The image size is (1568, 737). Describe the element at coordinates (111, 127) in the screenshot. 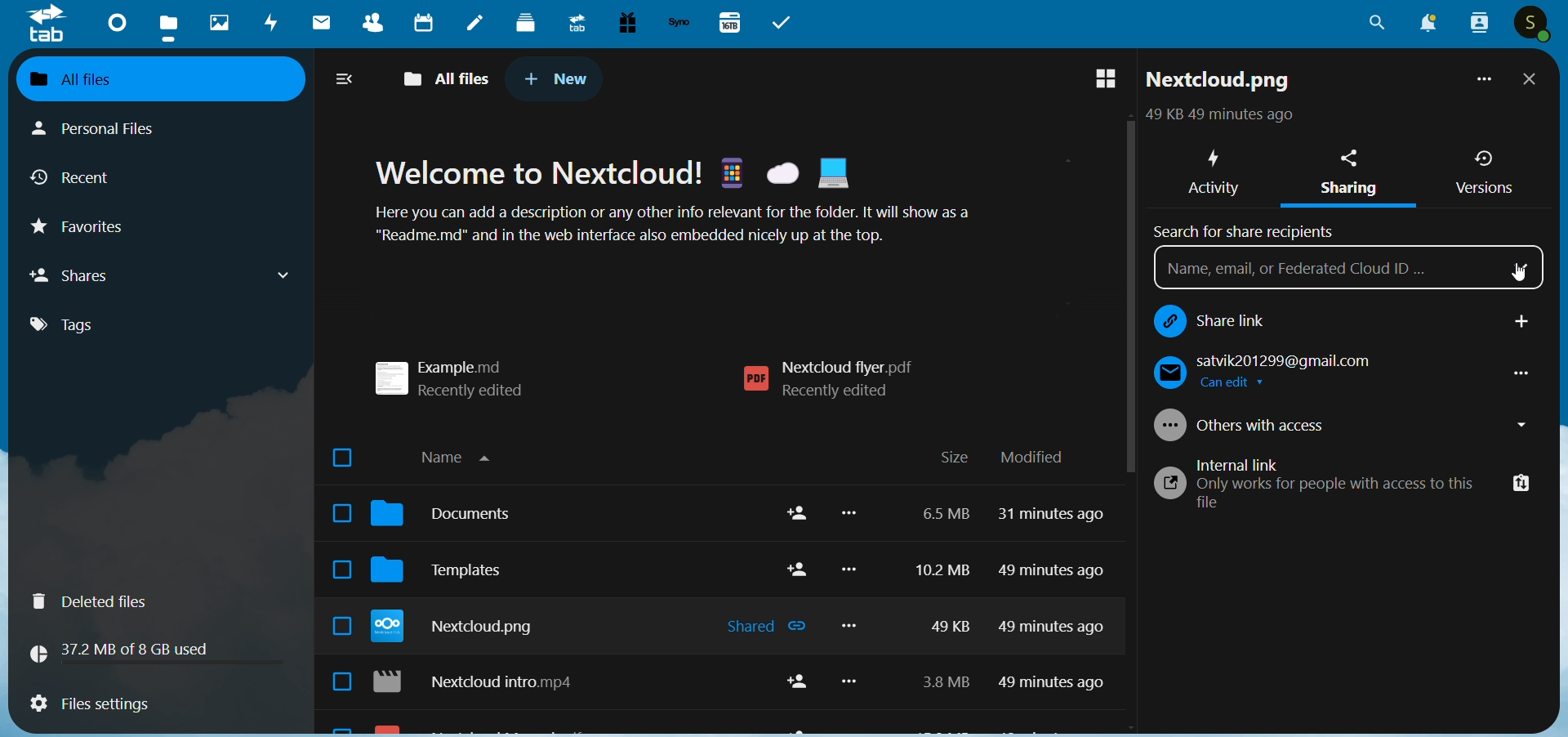

I see `personal files` at that location.